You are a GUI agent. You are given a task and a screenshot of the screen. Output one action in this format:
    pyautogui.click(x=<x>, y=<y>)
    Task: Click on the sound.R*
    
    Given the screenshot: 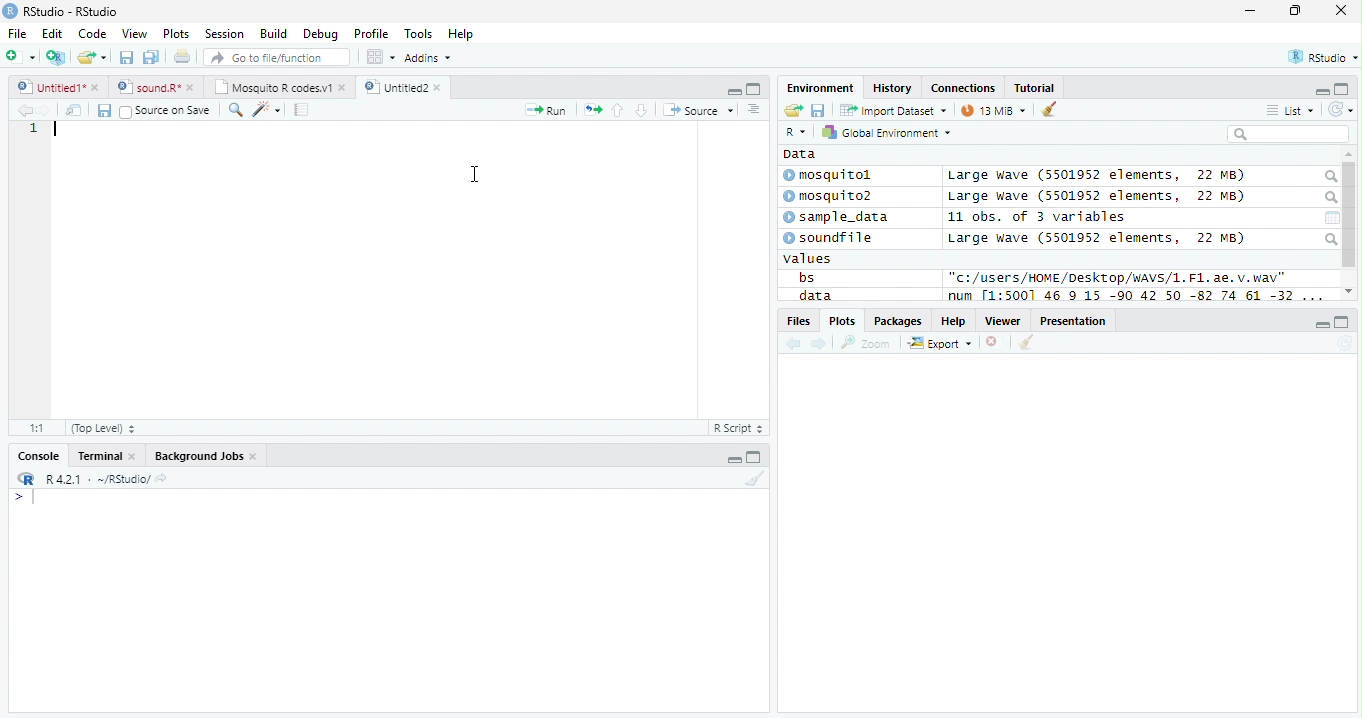 What is the action you would take?
    pyautogui.click(x=153, y=86)
    